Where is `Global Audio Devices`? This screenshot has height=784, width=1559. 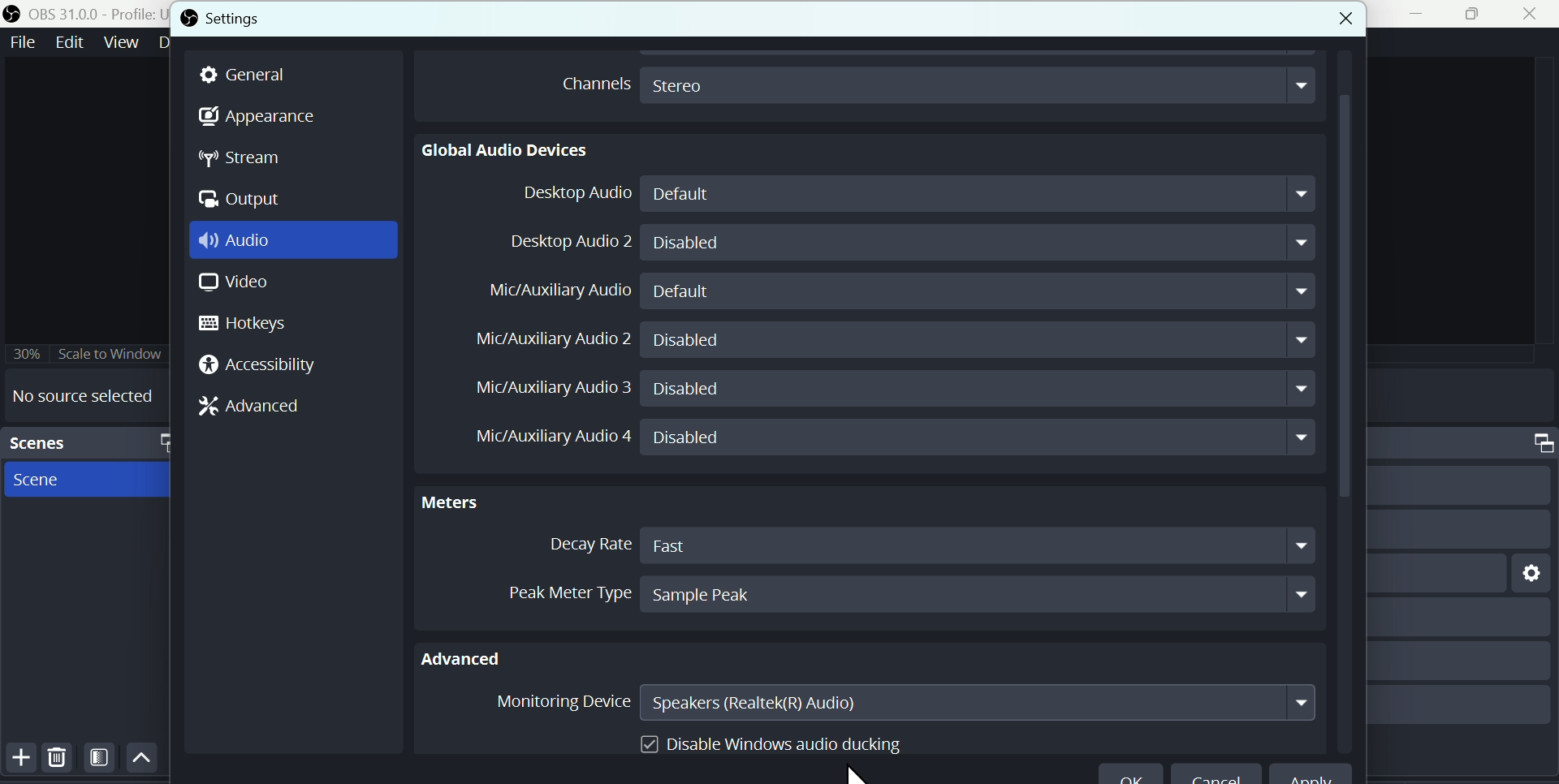
Global Audio Devices is located at coordinates (507, 149).